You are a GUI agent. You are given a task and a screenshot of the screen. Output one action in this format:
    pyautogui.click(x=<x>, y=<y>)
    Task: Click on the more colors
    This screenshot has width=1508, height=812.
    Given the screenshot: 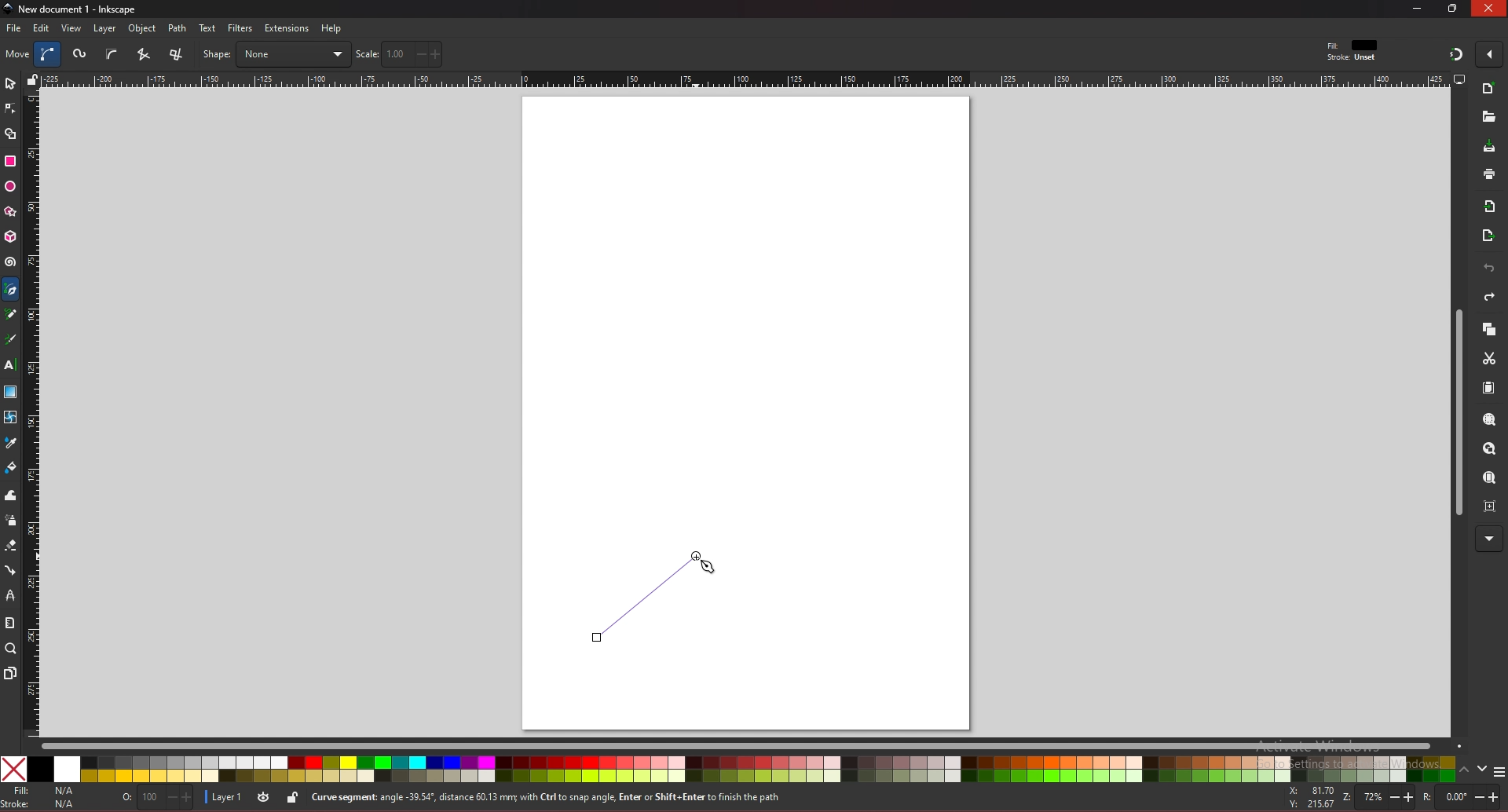 What is the action you would take?
    pyautogui.click(x=1499, y=773)
    